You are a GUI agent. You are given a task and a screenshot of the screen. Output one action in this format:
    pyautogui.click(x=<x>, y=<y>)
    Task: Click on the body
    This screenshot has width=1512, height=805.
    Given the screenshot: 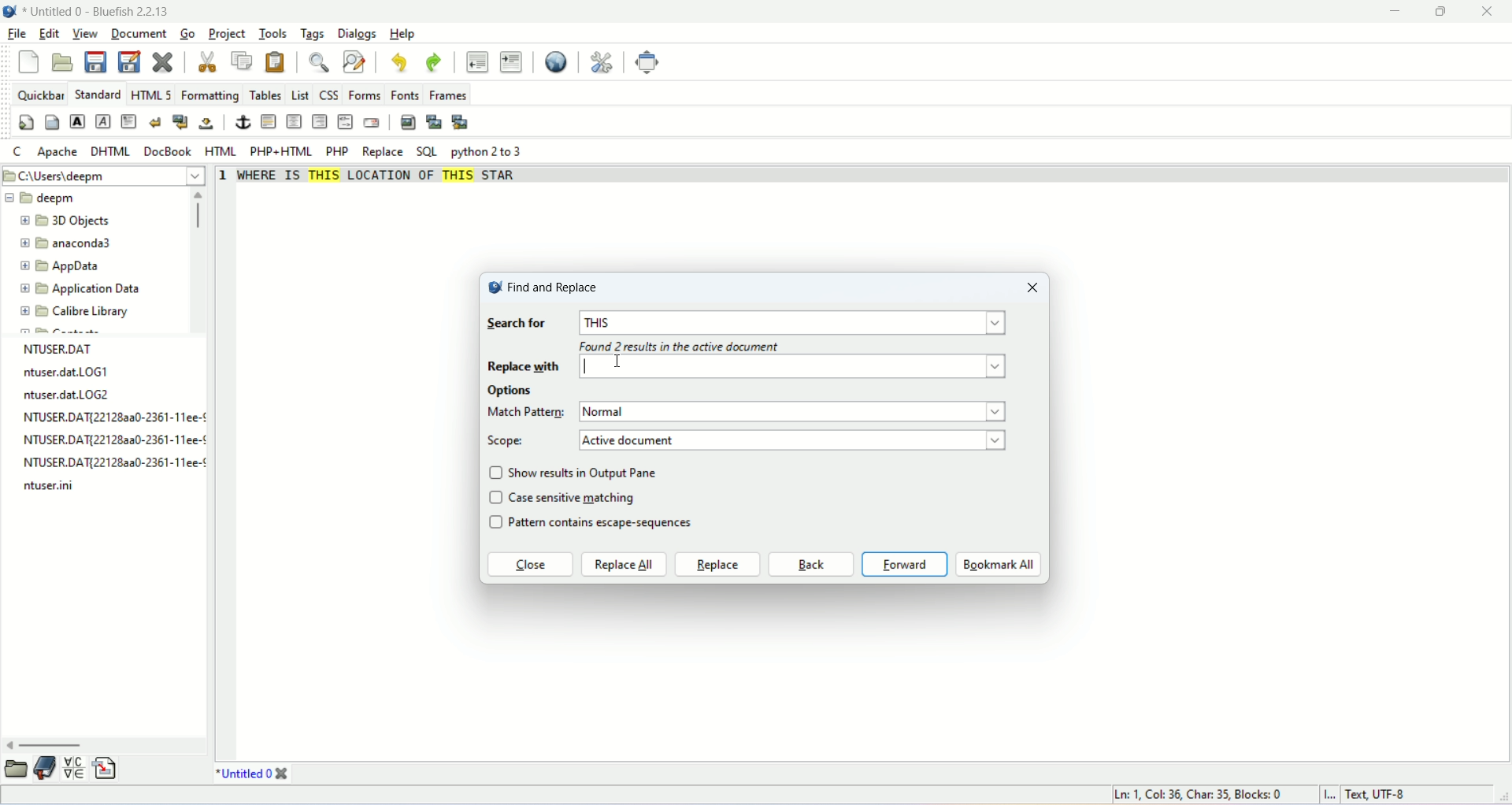 What is the action you would take?
    pyautogui.click(x=53, y=123)
    